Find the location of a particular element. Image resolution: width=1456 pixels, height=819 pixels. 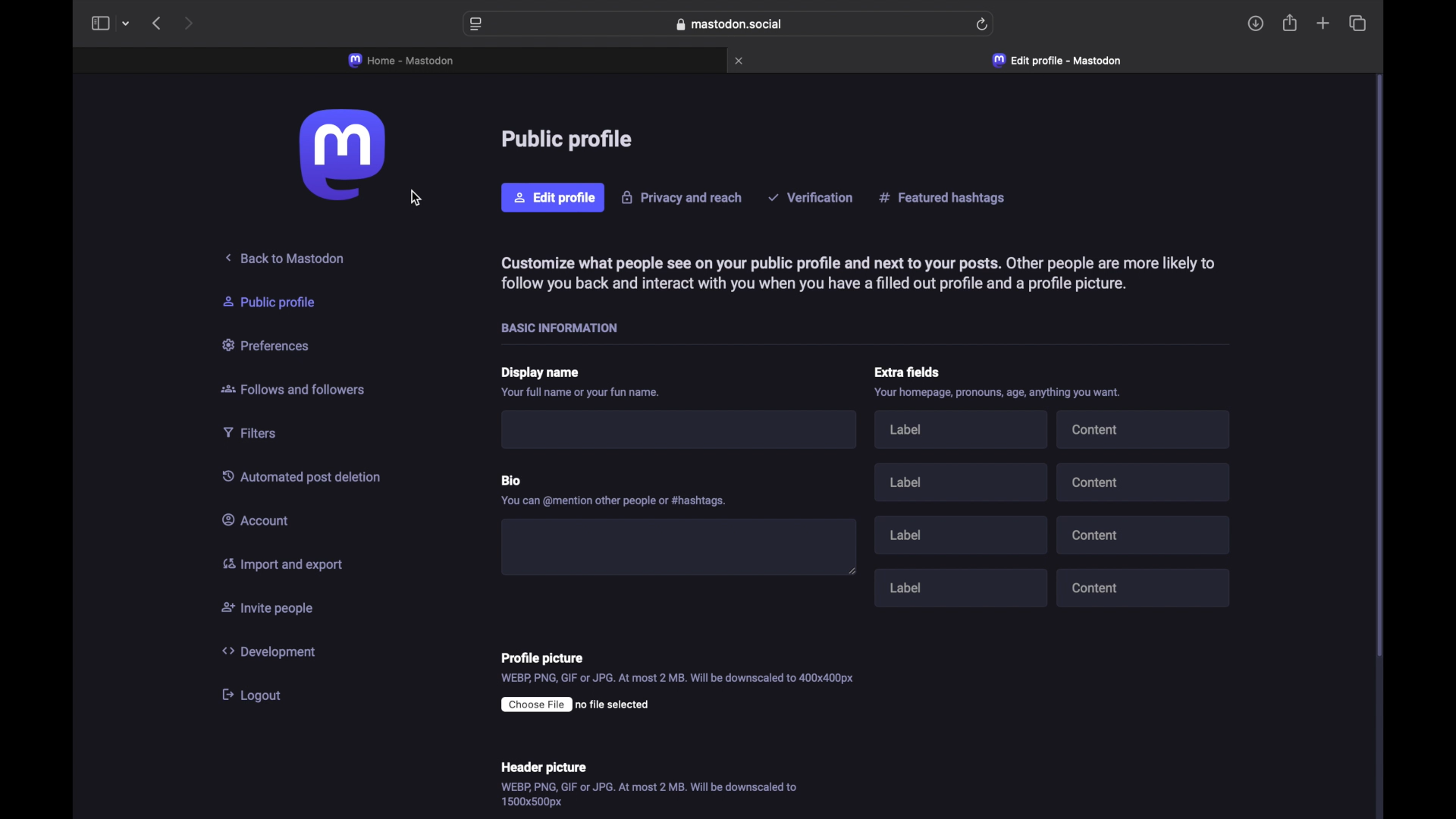

invite people is located at coordinates (268, 607).